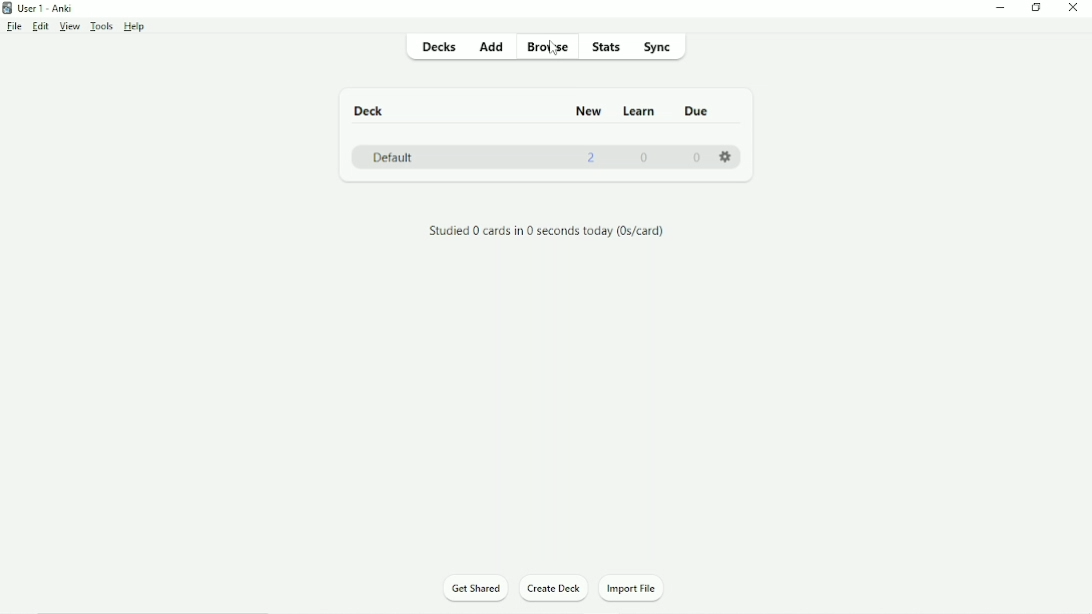  Describe the element at coordinates (701, 112) in the screenshot. I see `Due` at that location.